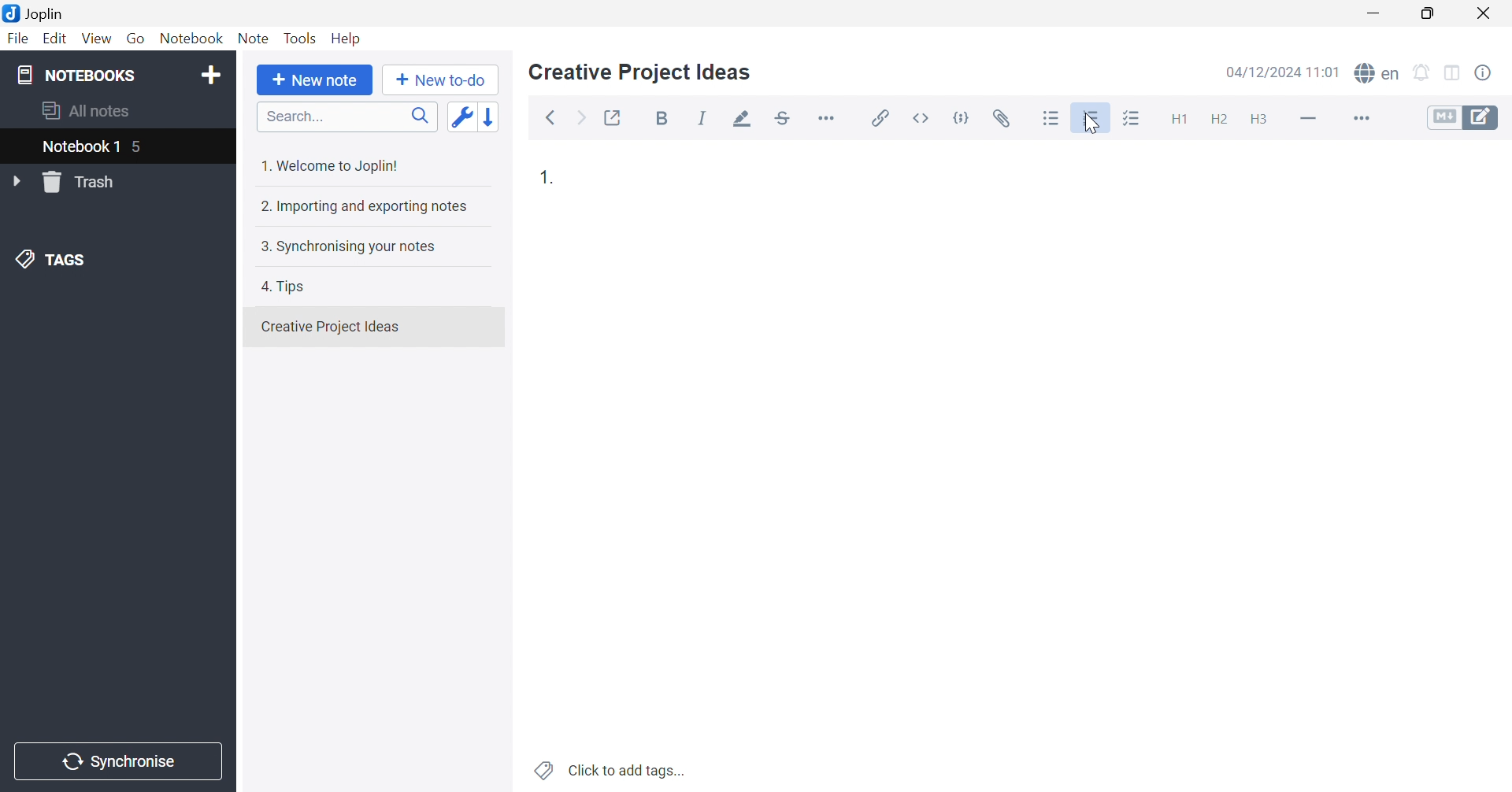  What do you see at coordinates (1051, 119) in the screenshot?
I see `Bulleted list` at bounding box center [1051, 119].